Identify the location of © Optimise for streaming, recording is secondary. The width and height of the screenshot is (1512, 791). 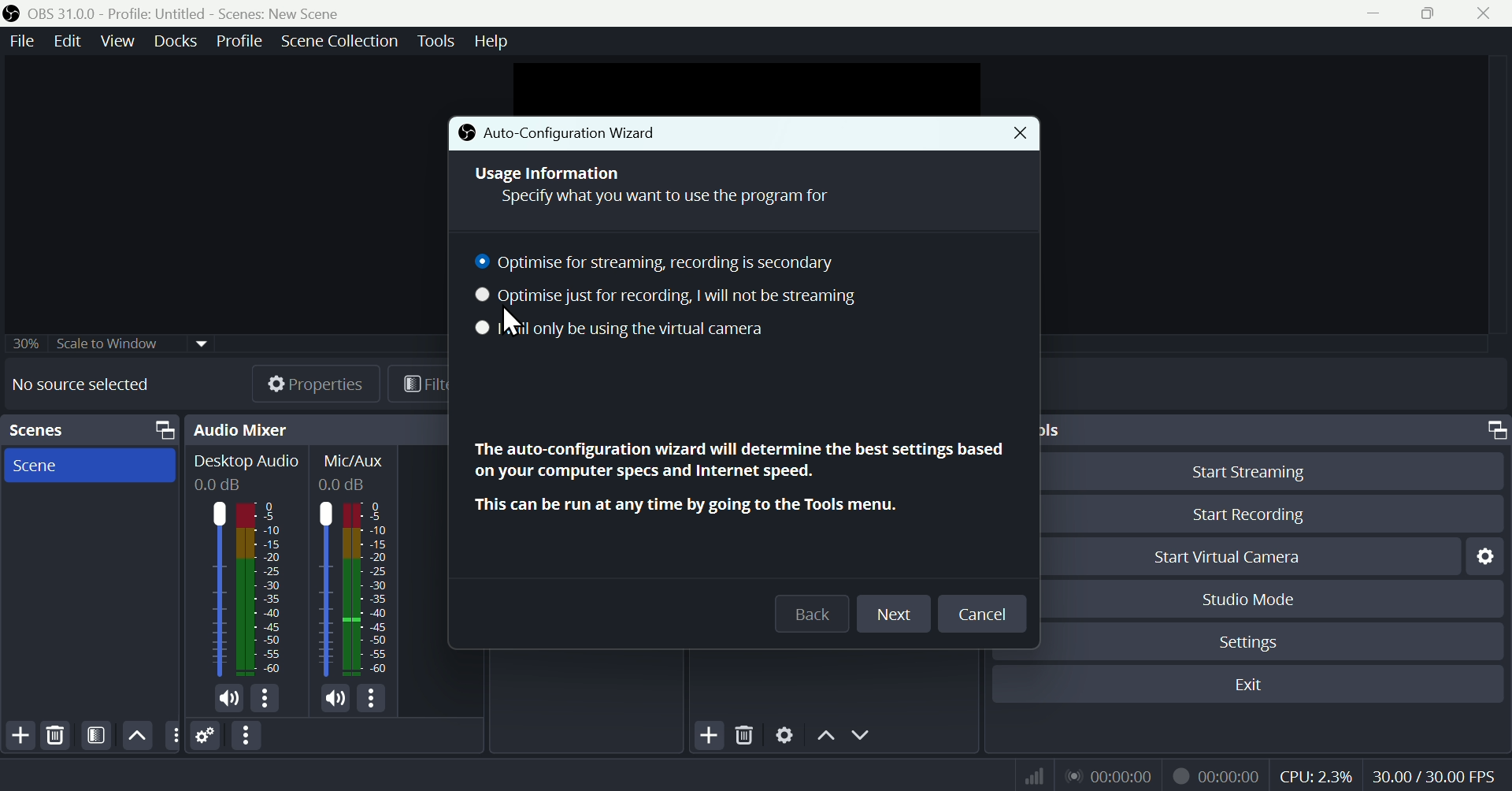
(665, 262).